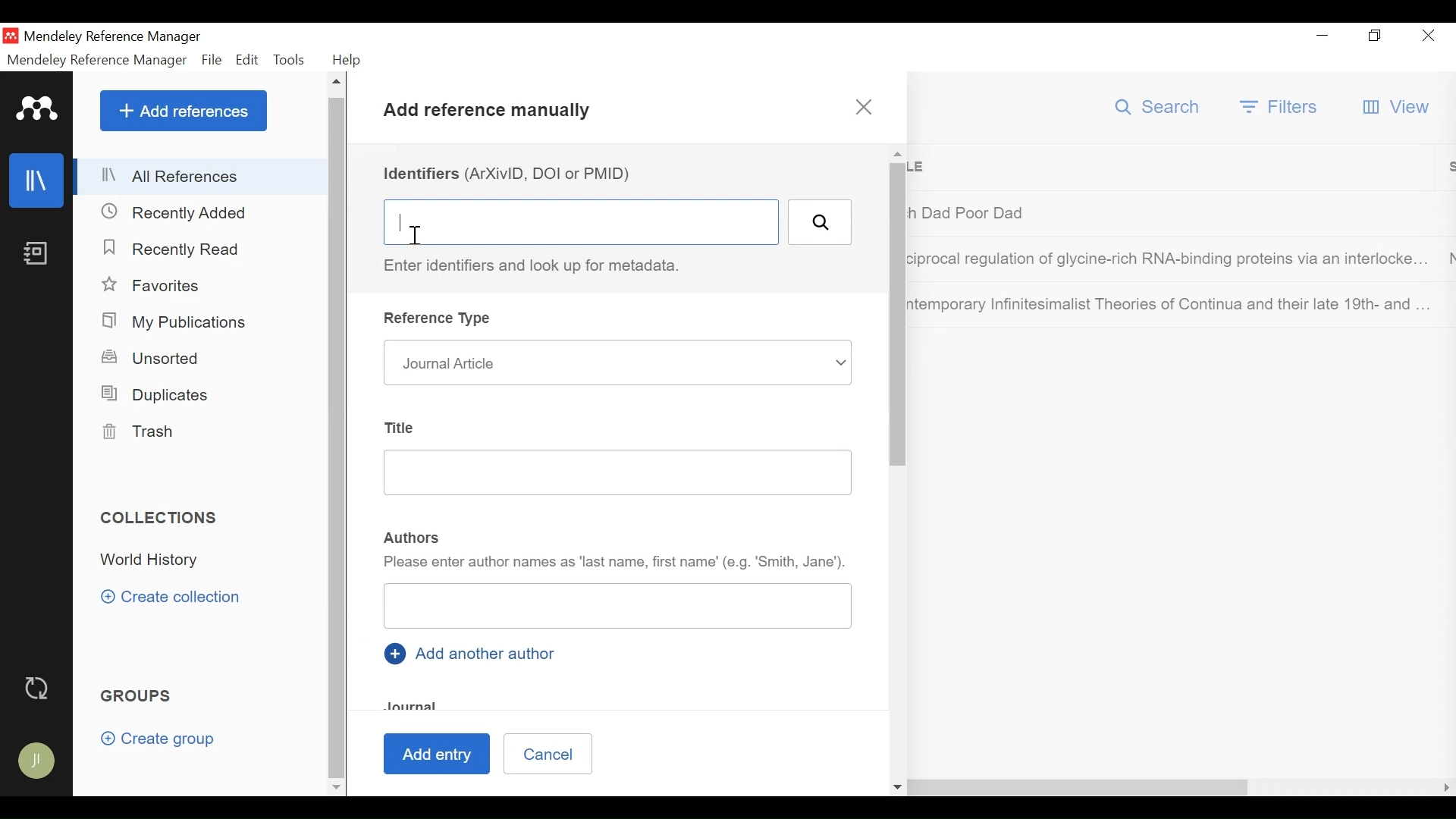  What do you see at coordinates (38, 254) in the screenshot?
I see `Notebook` at bounding box center [38, 254].